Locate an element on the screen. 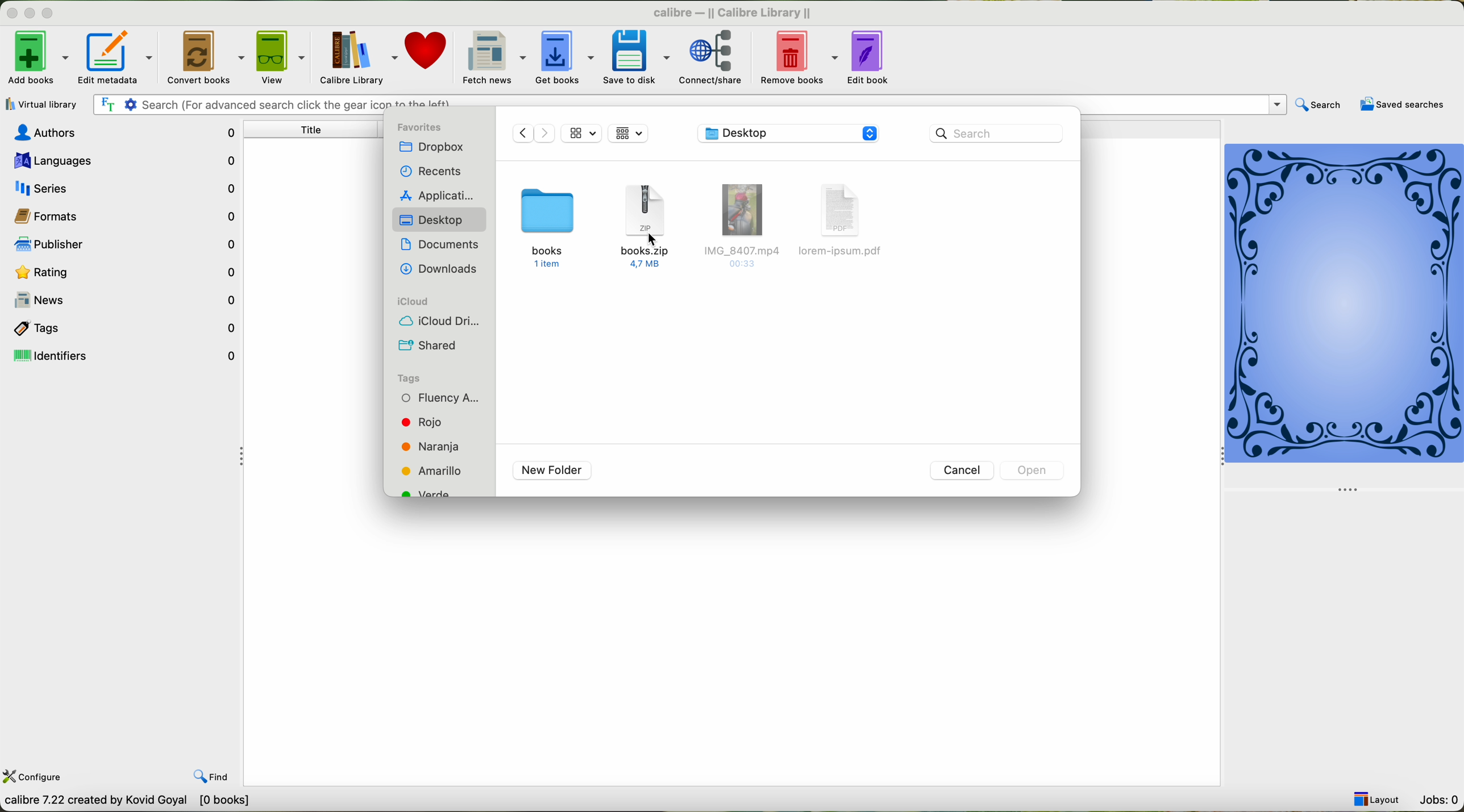  dropbox is located at coordinates (432, 146).